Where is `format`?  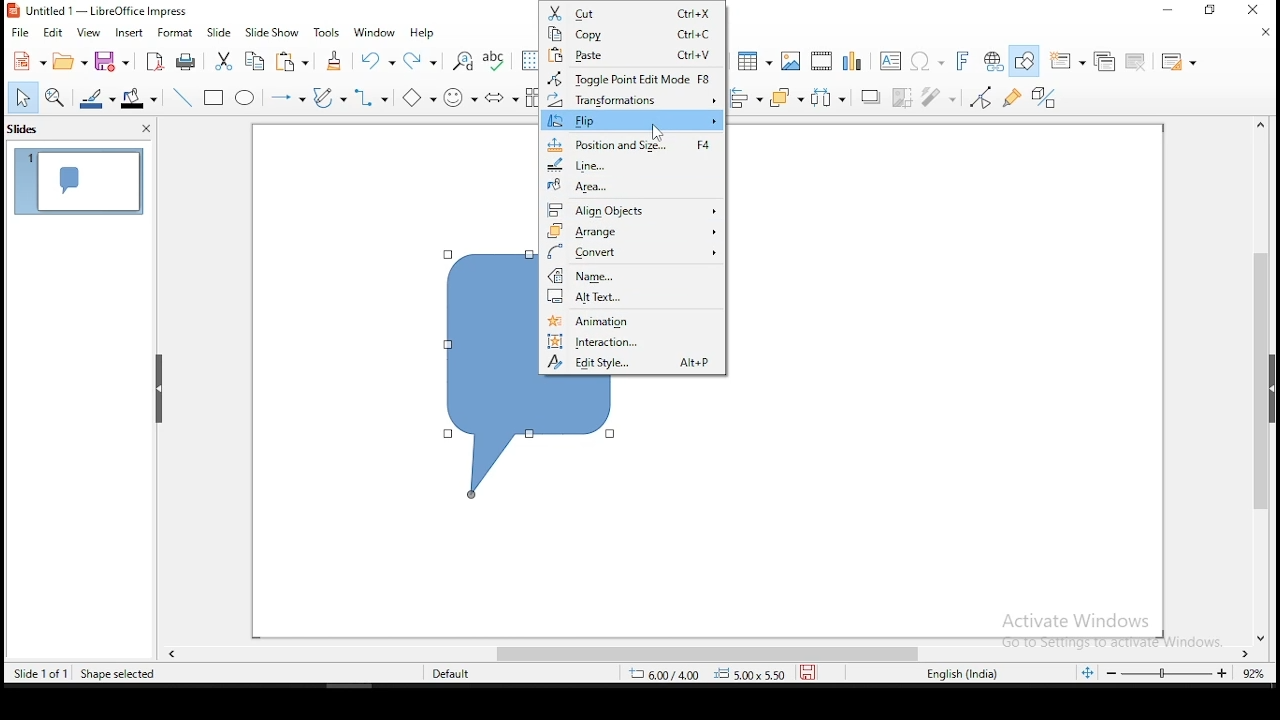
format is located at coordinates (173, 33).